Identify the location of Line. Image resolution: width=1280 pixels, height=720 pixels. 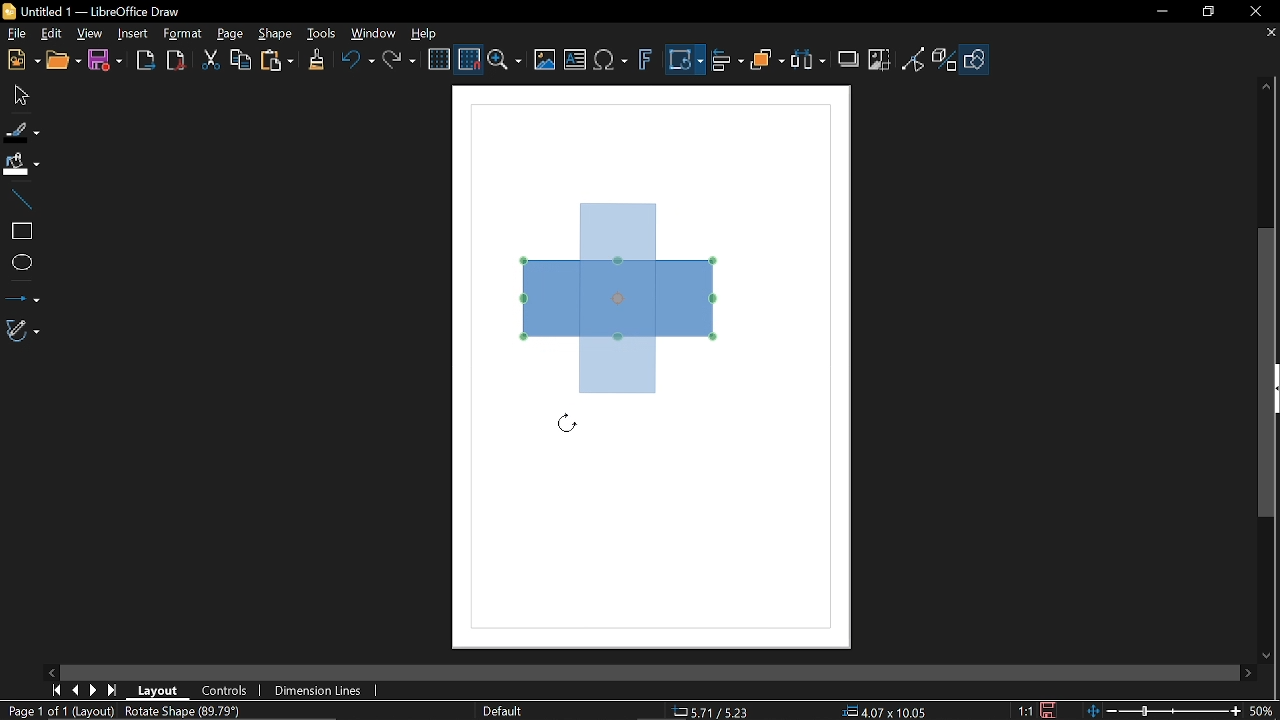
(18, 200).